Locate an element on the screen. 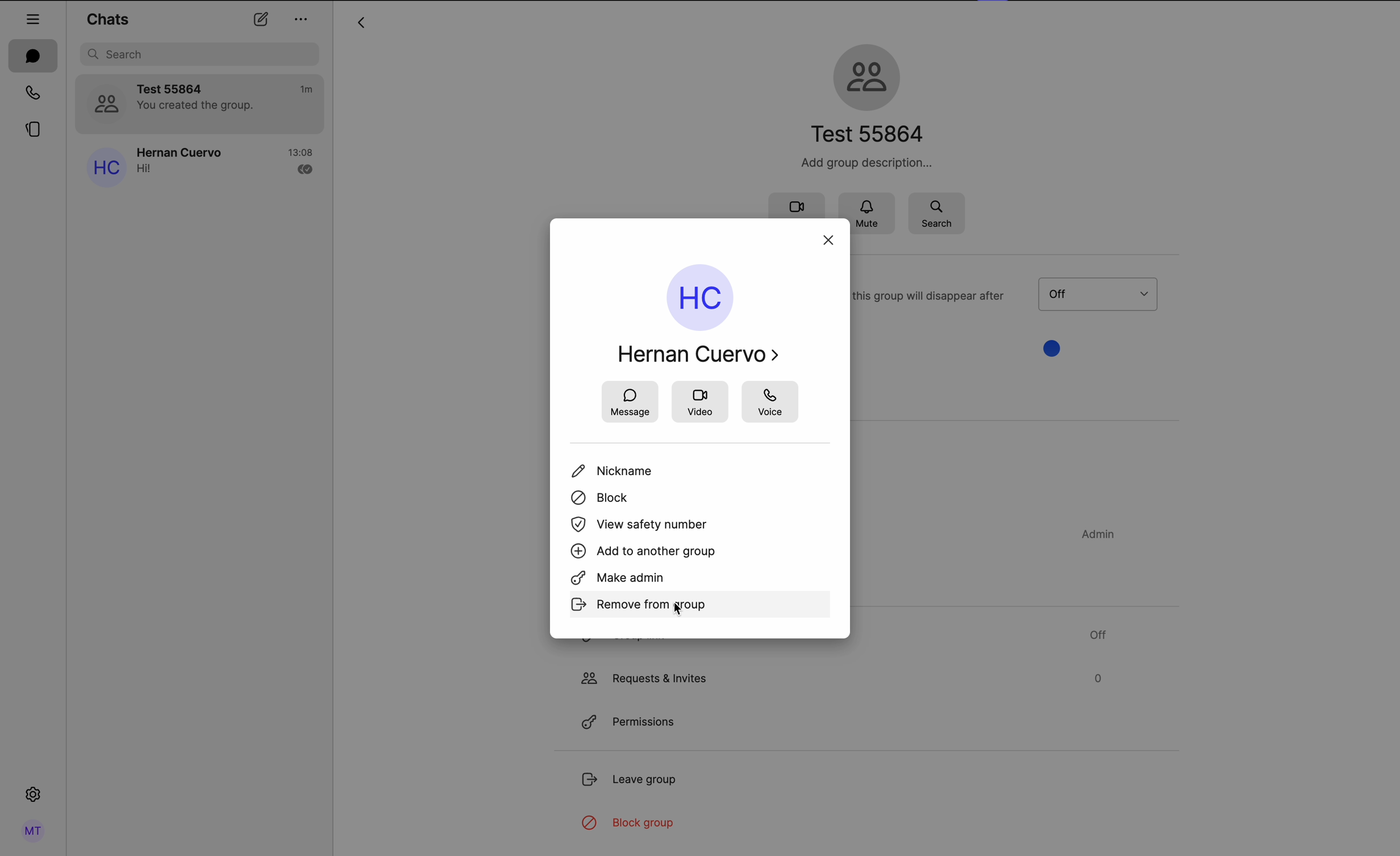  nickname is located at coordinates (627, 473).